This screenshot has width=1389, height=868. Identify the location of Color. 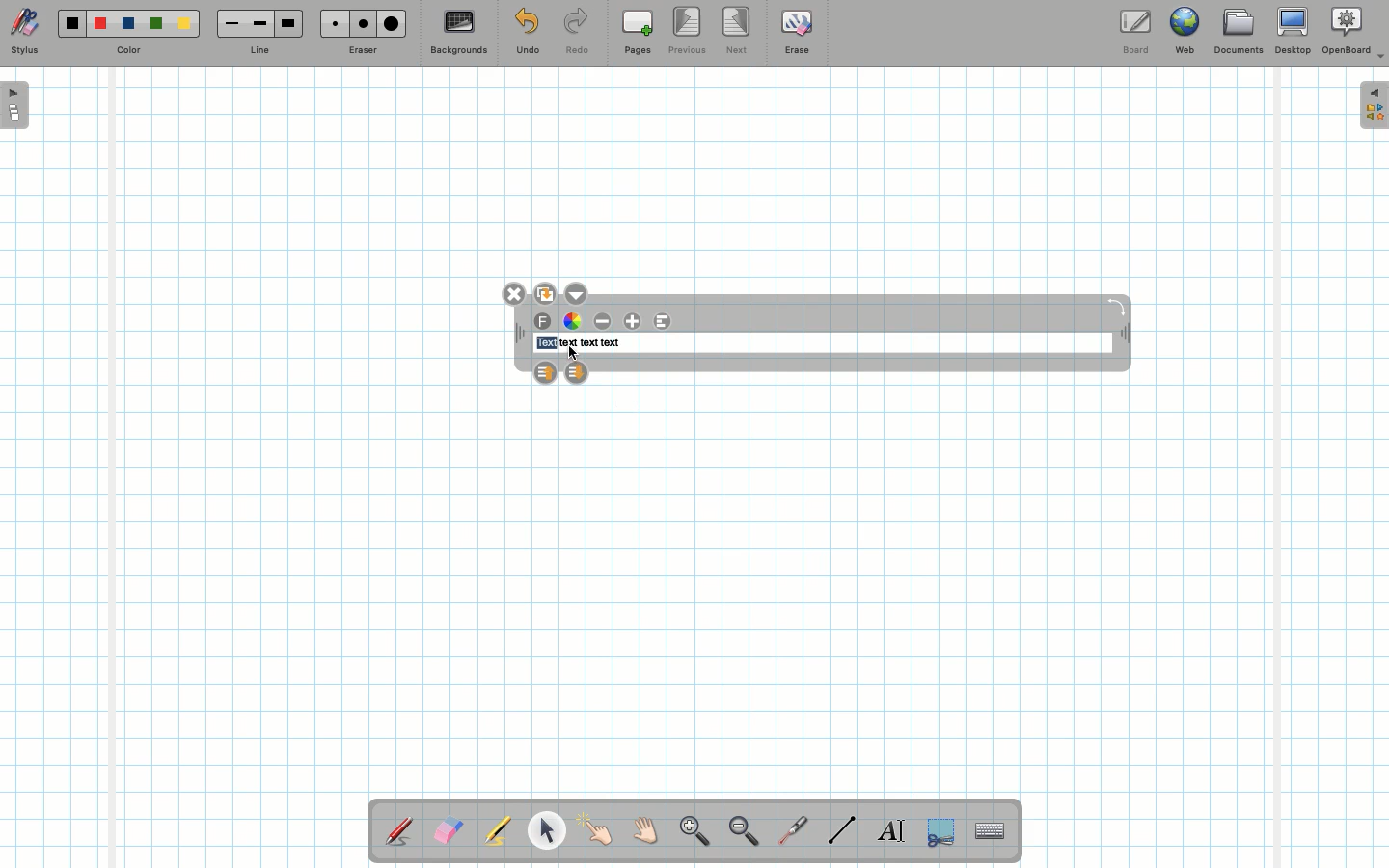
(126, 51).